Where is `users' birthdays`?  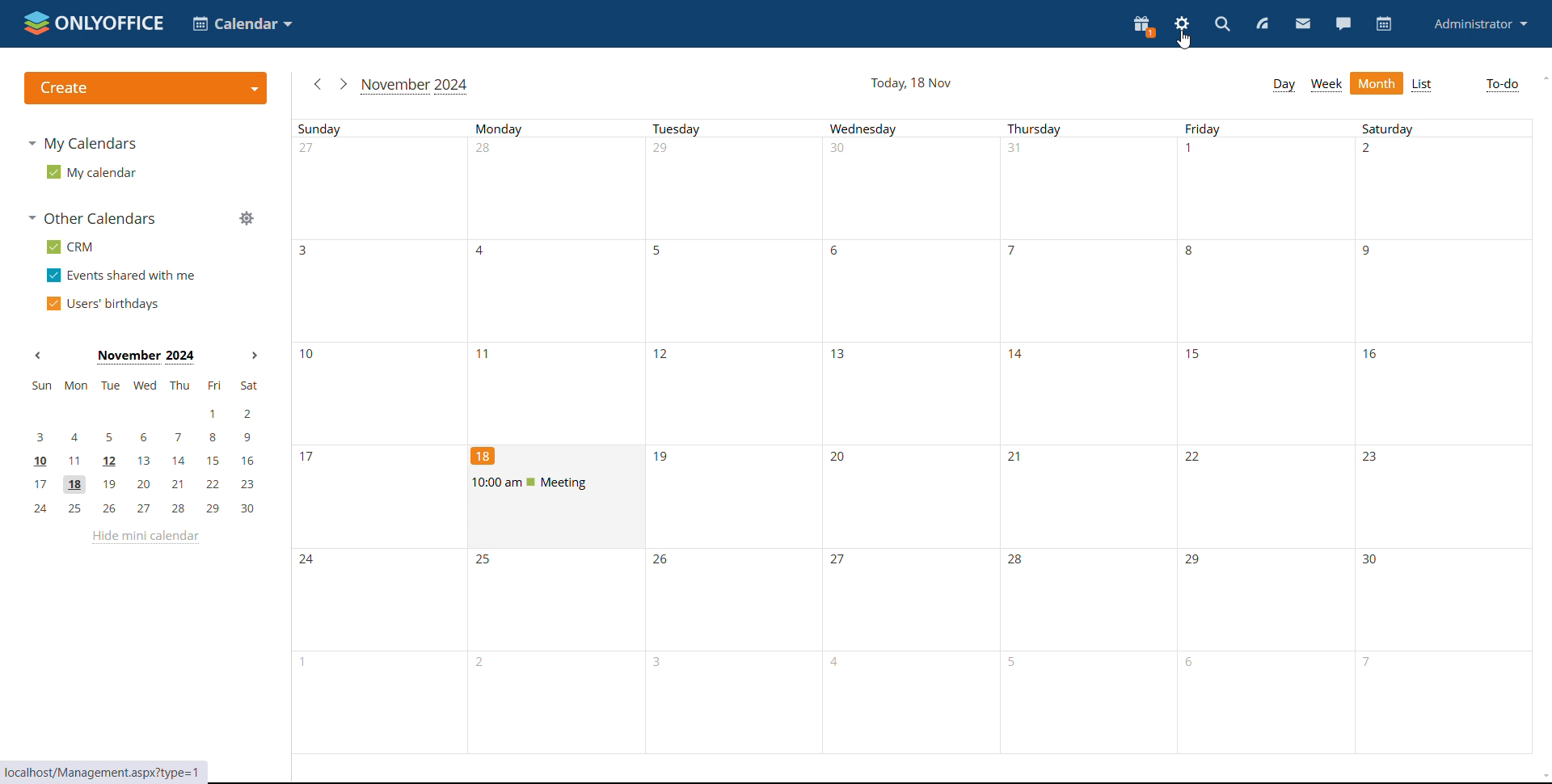 users' birthdays is located at coordinates (101, 306).